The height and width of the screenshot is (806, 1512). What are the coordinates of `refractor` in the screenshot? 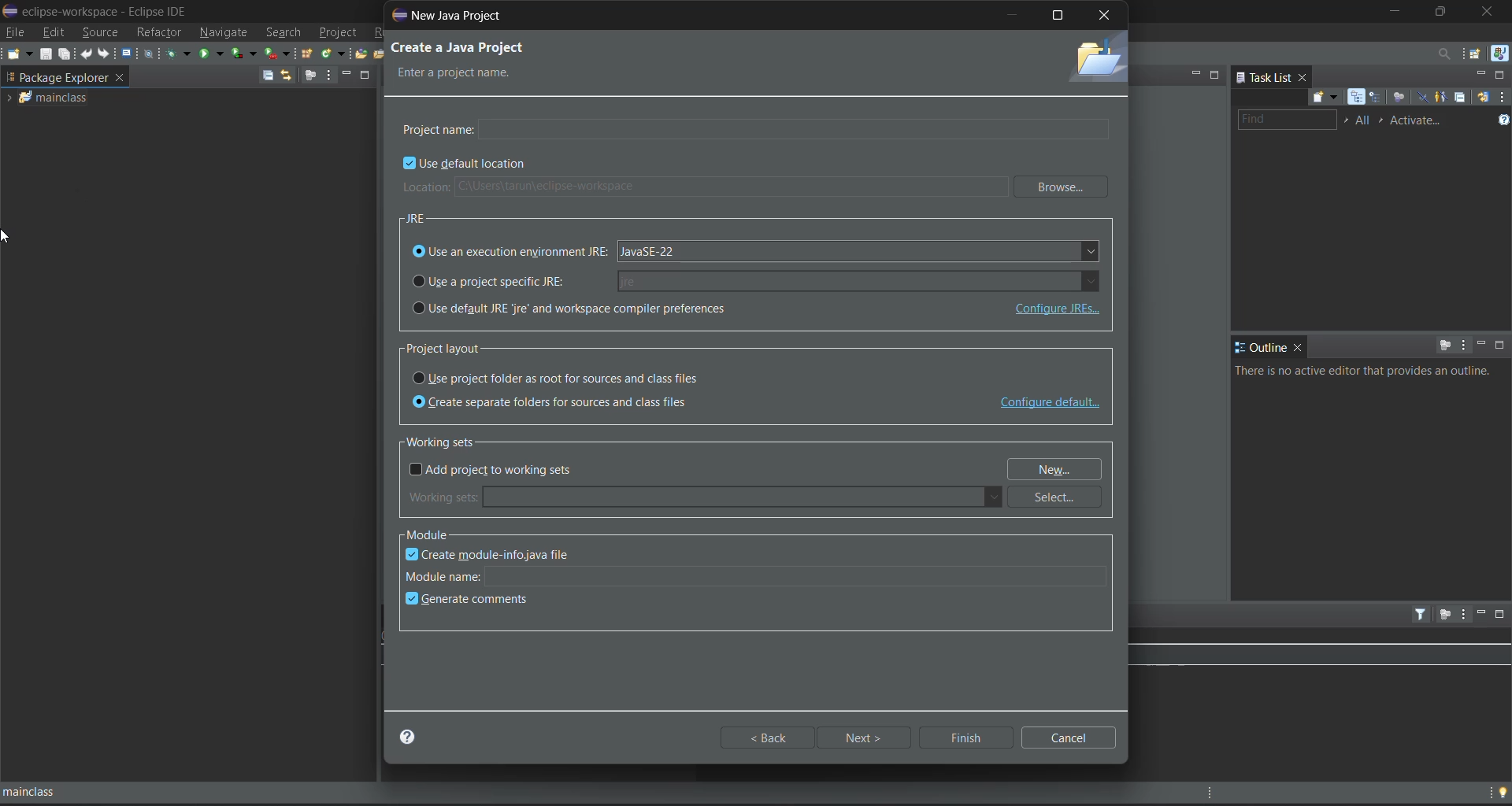 It's located at (159, 32).